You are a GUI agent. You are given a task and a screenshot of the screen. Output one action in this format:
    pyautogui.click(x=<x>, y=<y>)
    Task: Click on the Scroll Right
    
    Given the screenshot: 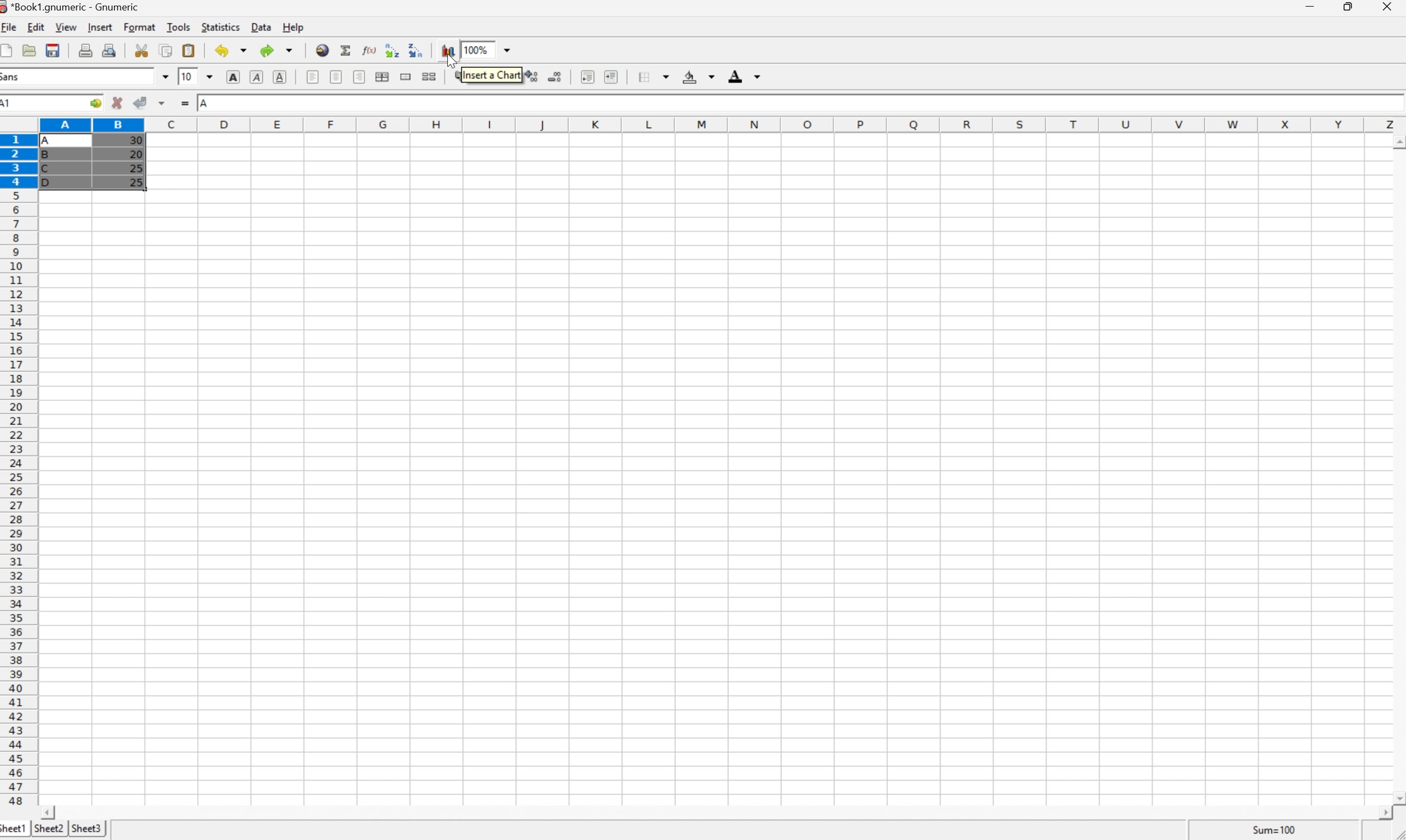 What is the action you would take?
    pyautogui.click(x=1381, y=813)
    